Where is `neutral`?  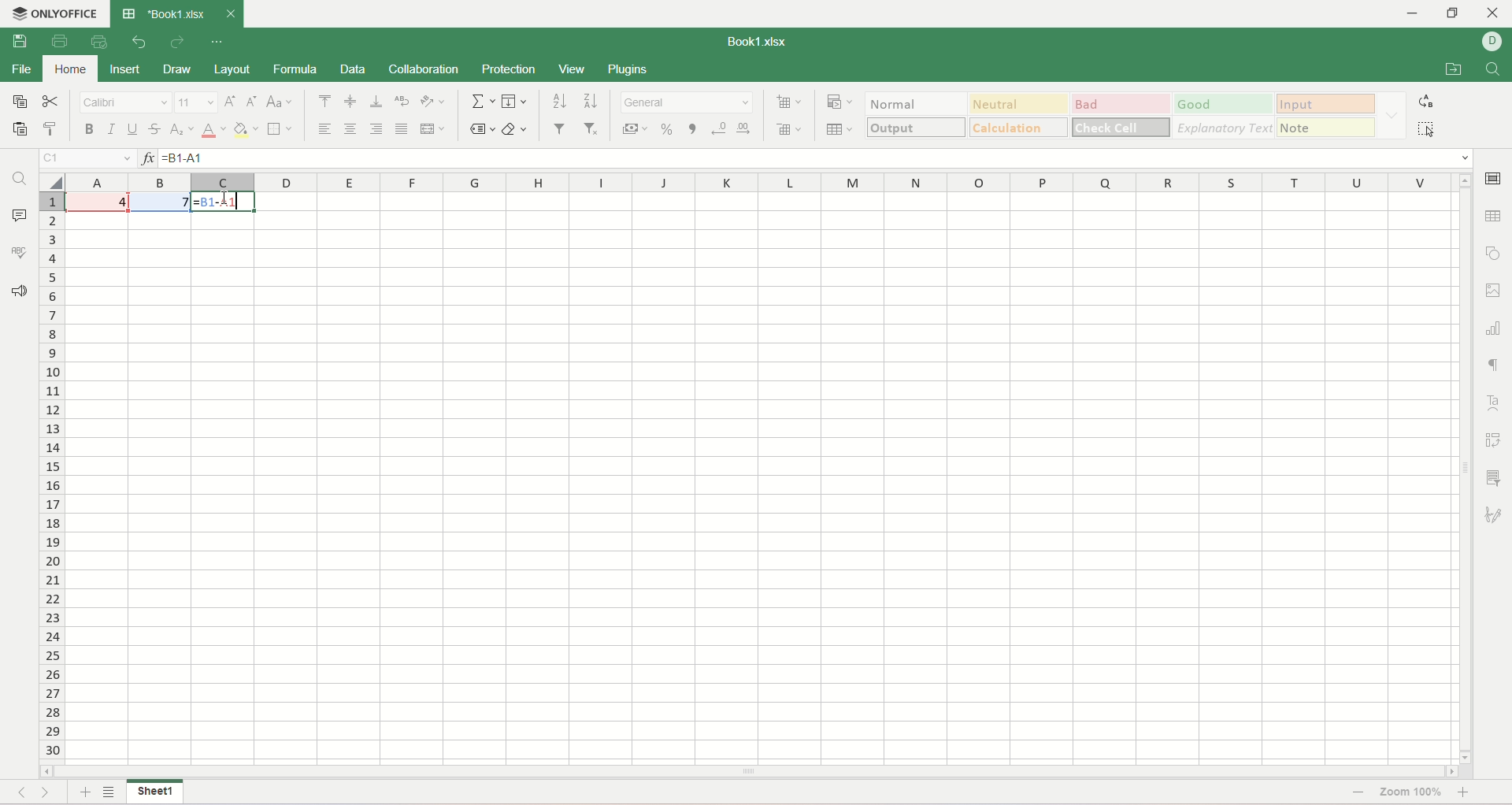 neutral is located at coordinates (1020, 102).